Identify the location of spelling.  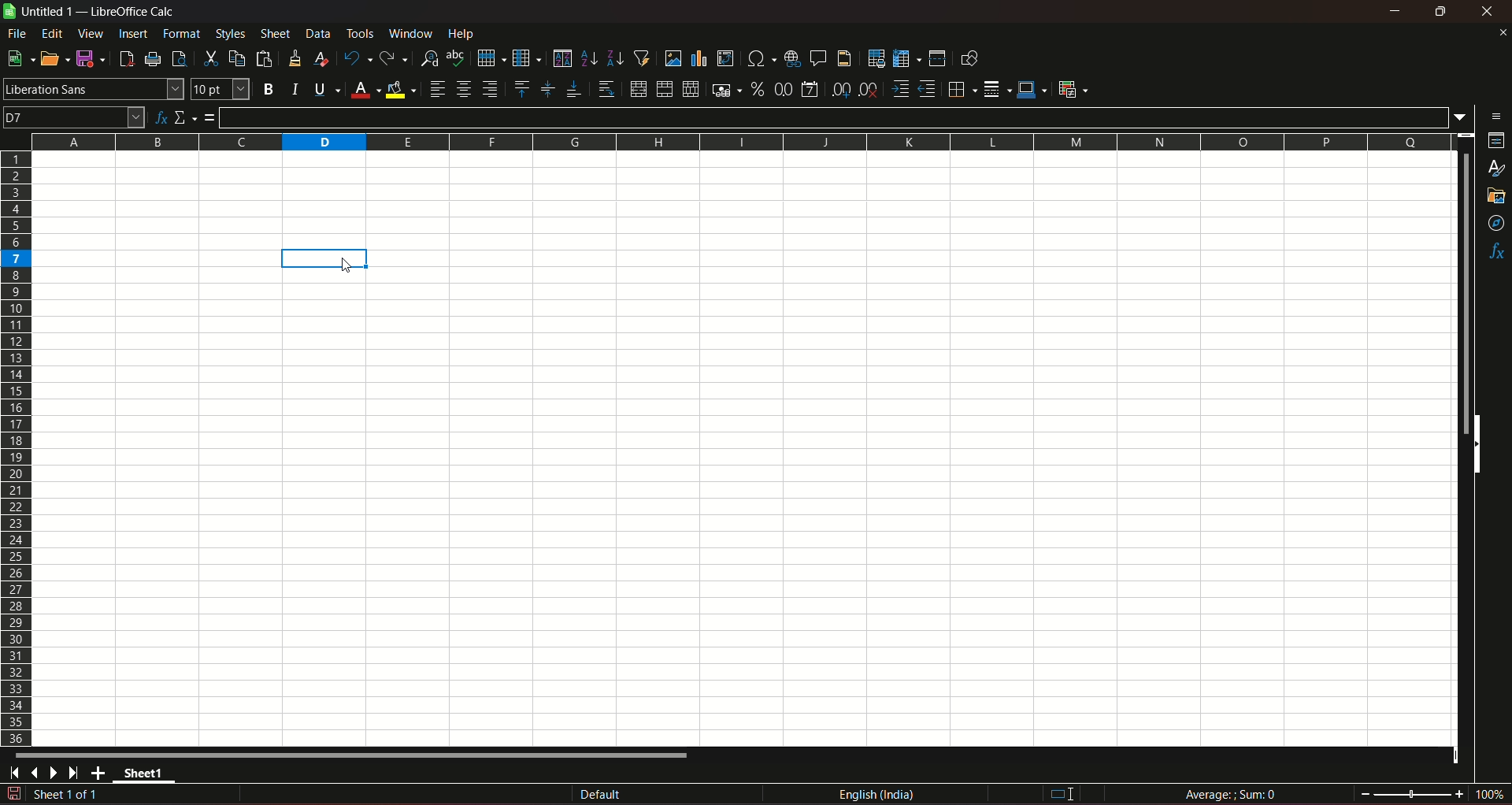
(457, 58).